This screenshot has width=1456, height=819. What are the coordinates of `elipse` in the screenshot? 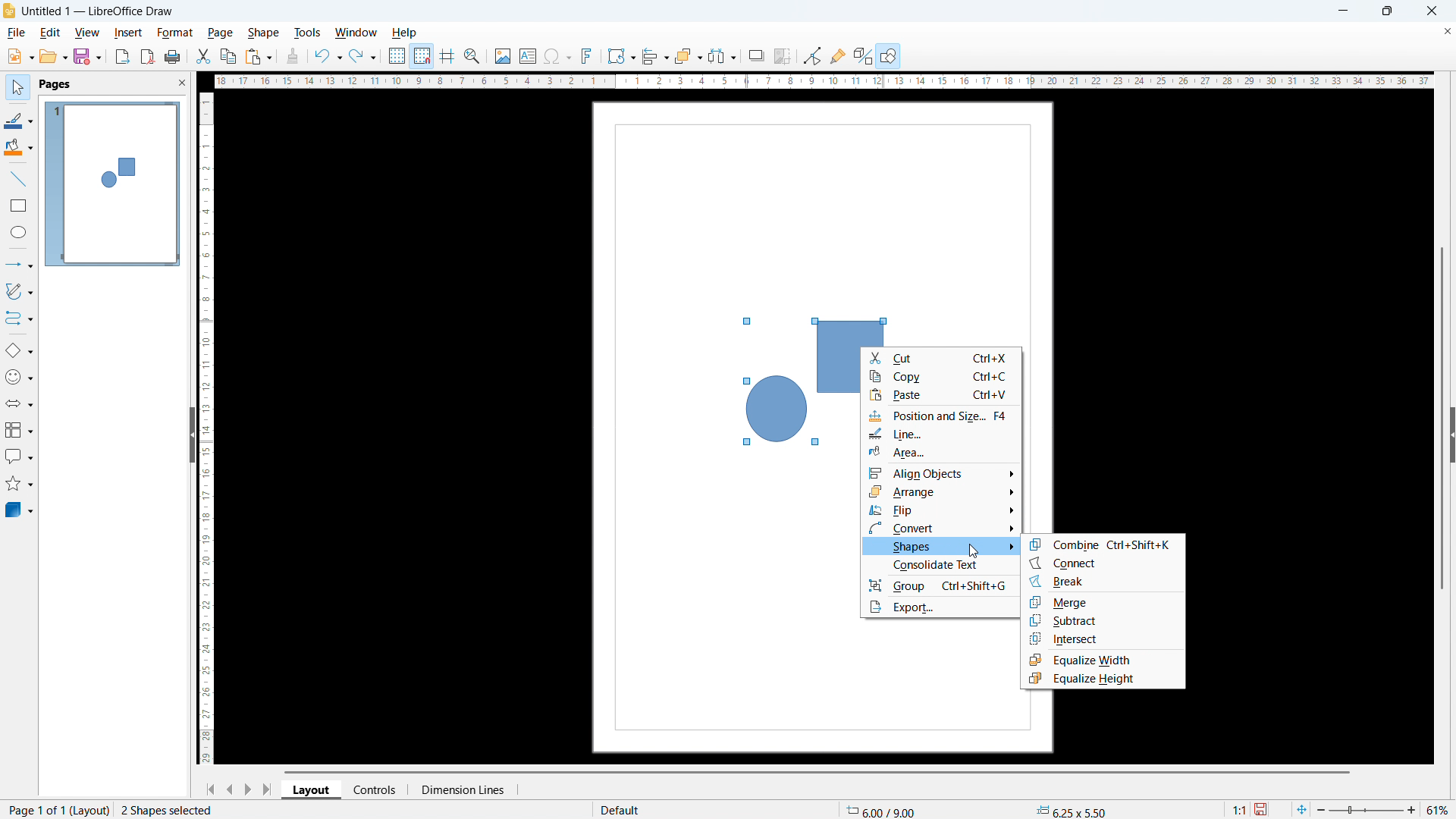 It's located at (20, 231).